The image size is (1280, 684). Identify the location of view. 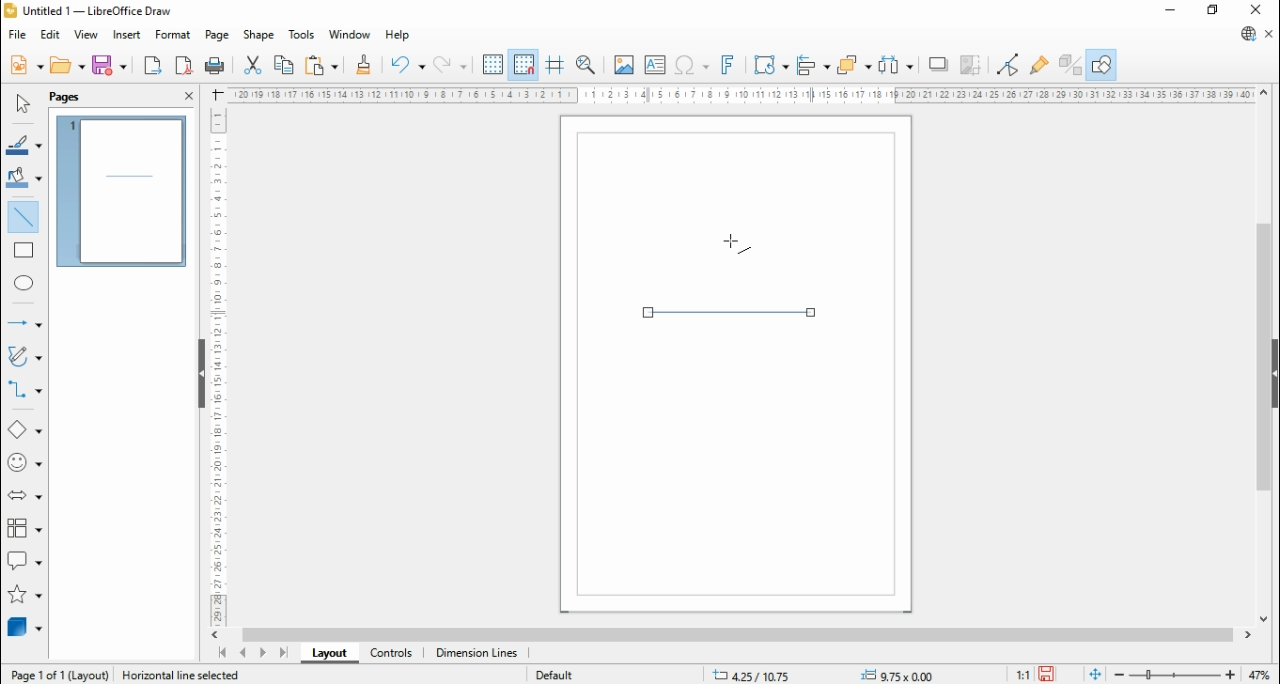
(86, 36).